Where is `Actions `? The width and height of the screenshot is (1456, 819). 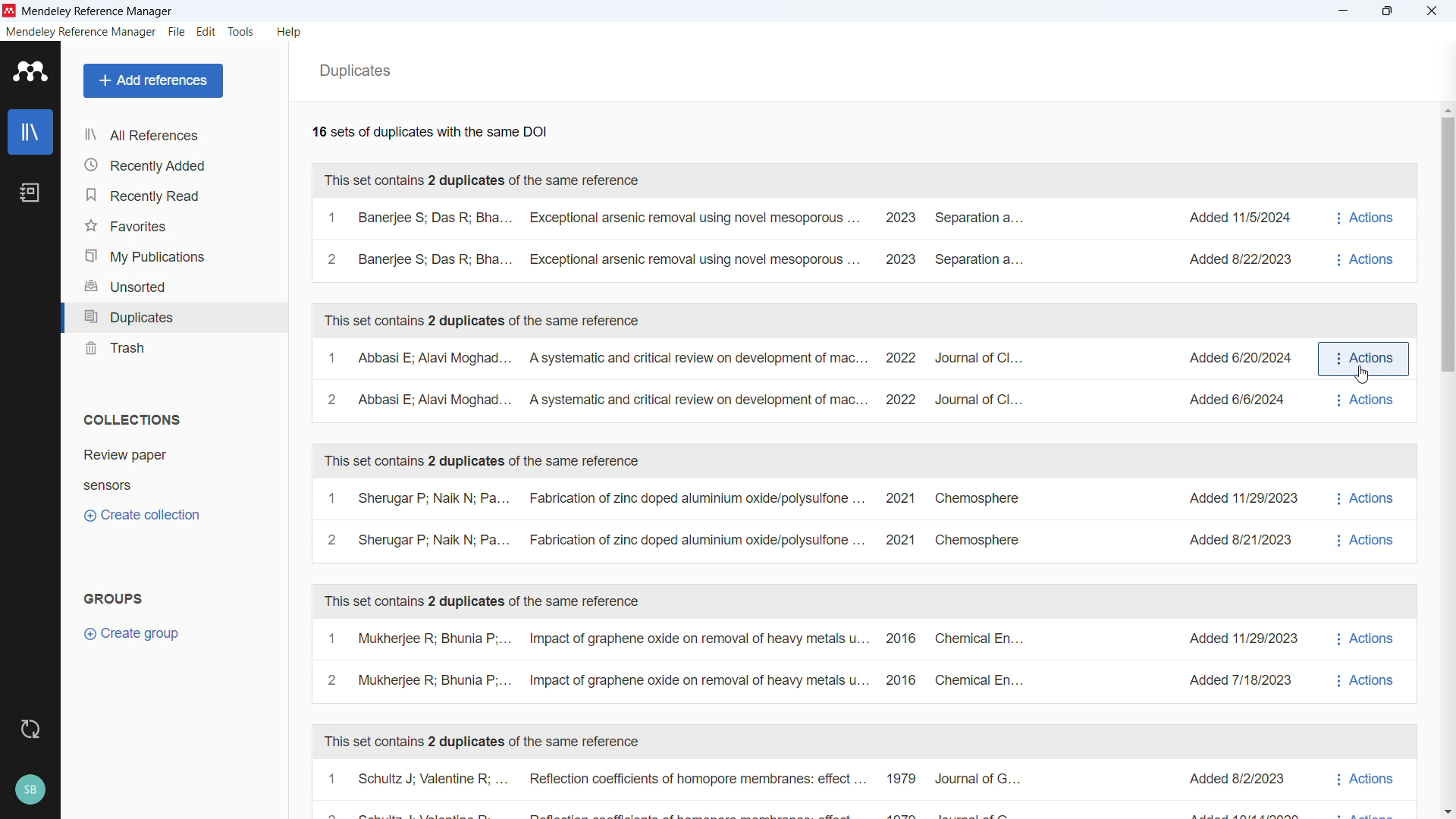
Actions  is located at coordinates (1363, 378).